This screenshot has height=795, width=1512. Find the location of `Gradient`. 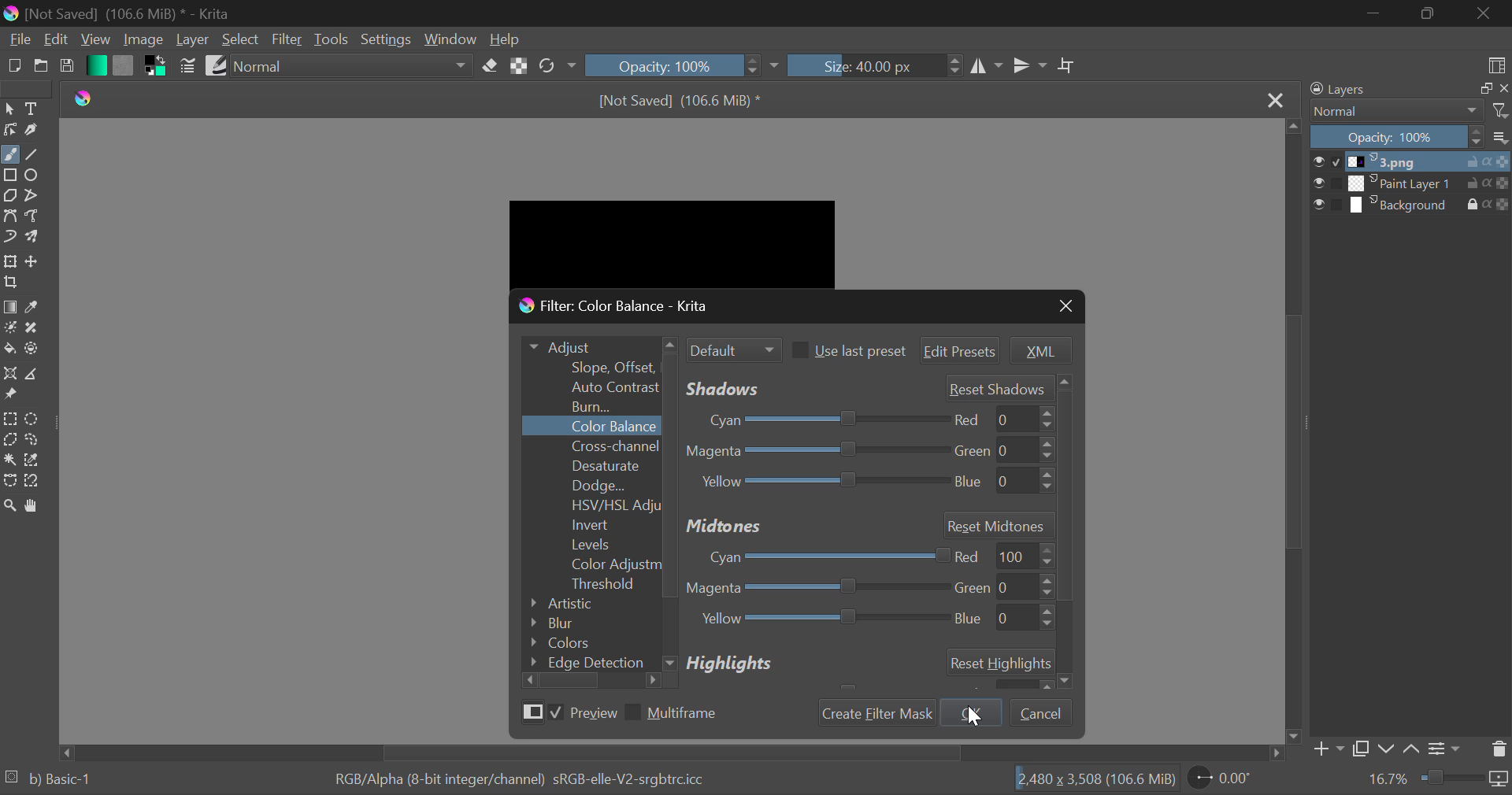

Gradient is located at coordinates (95, 66).